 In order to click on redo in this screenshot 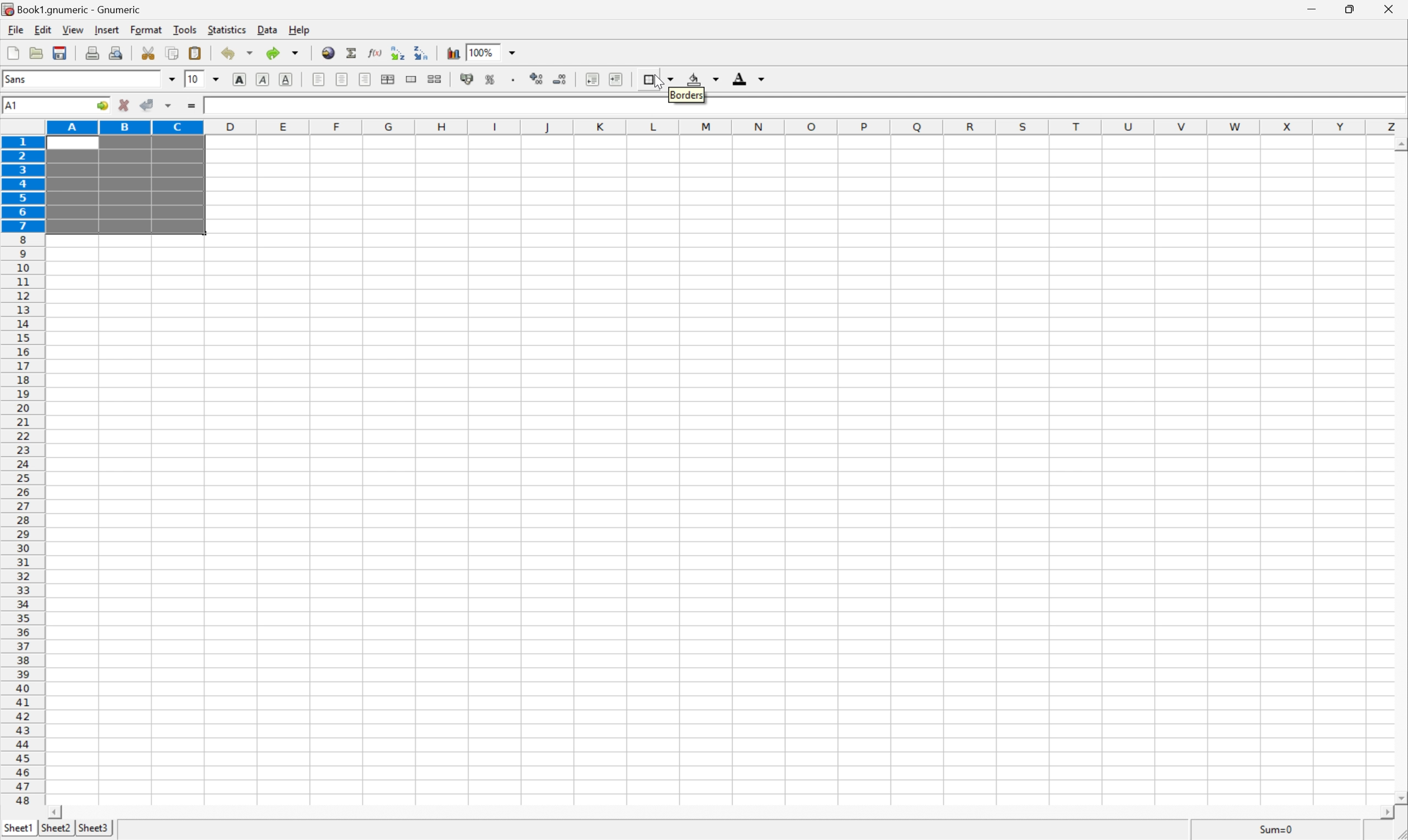, I will do `click(284, 53)`.